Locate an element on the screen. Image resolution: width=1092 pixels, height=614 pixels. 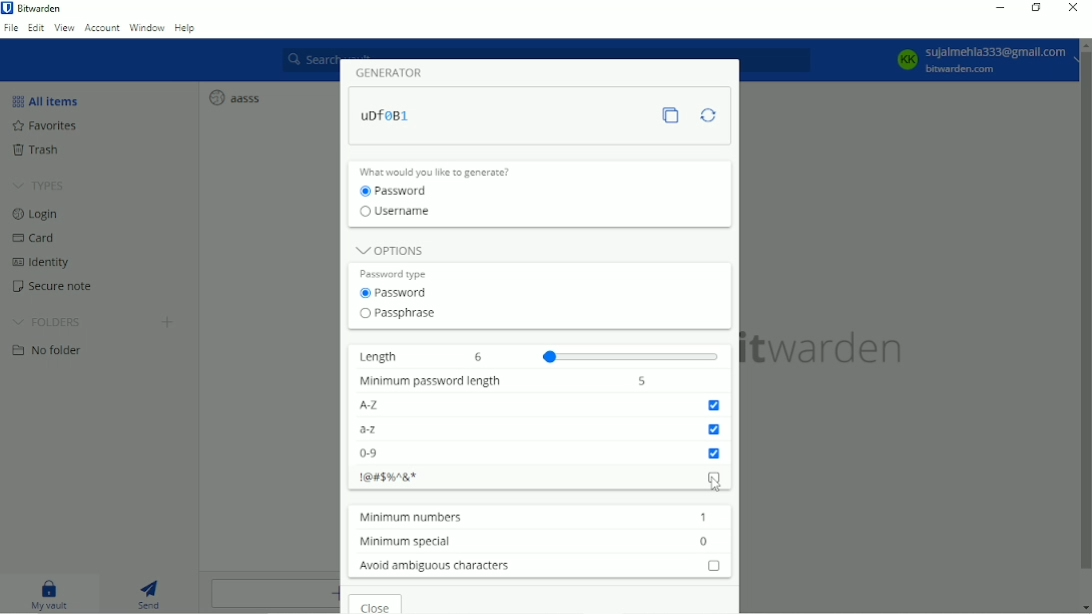
Folders is located at coordinates (47, 320).